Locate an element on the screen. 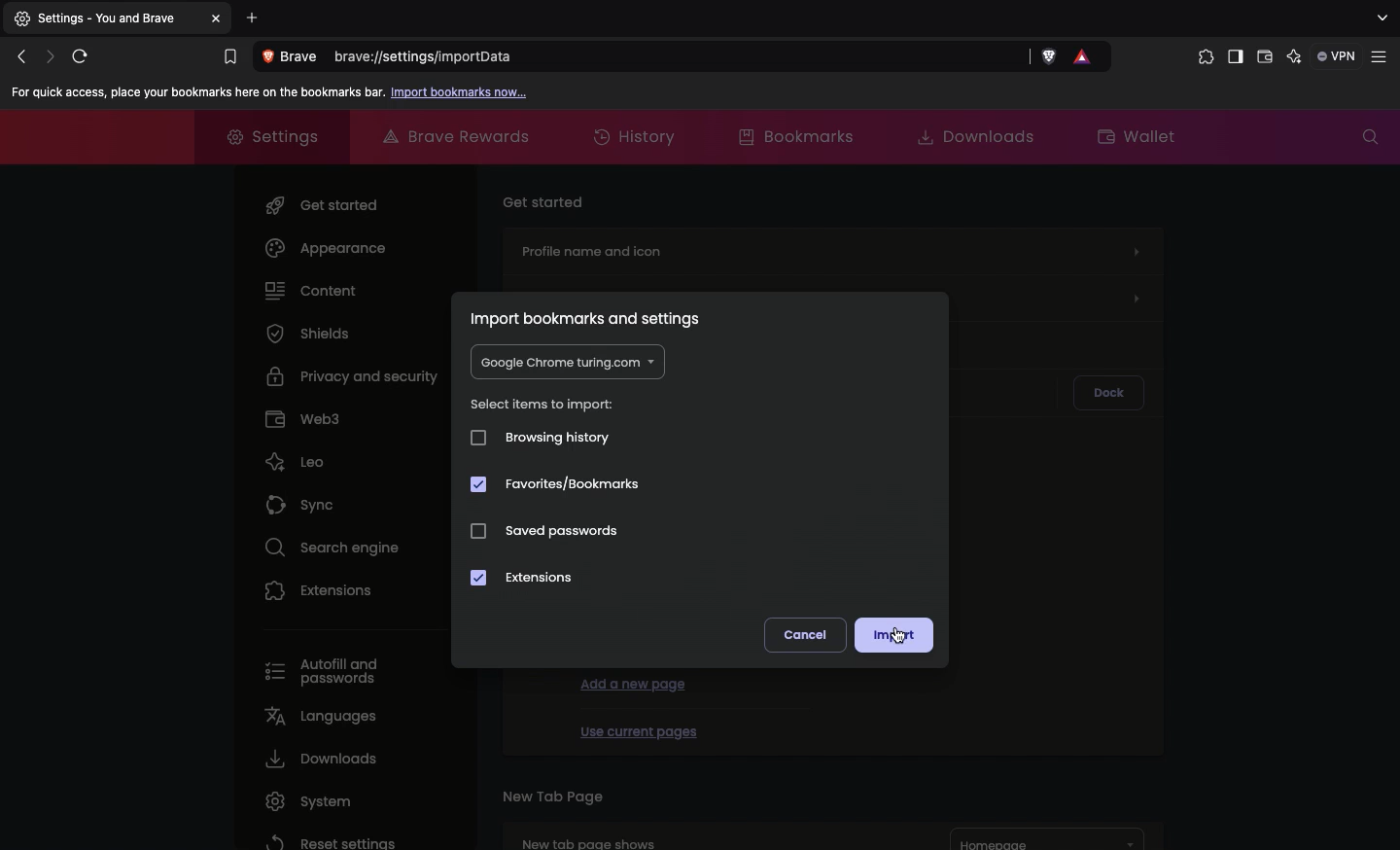 This screenshot has height=850, width=1400. Use current pages is located at coordinates (638, 728).